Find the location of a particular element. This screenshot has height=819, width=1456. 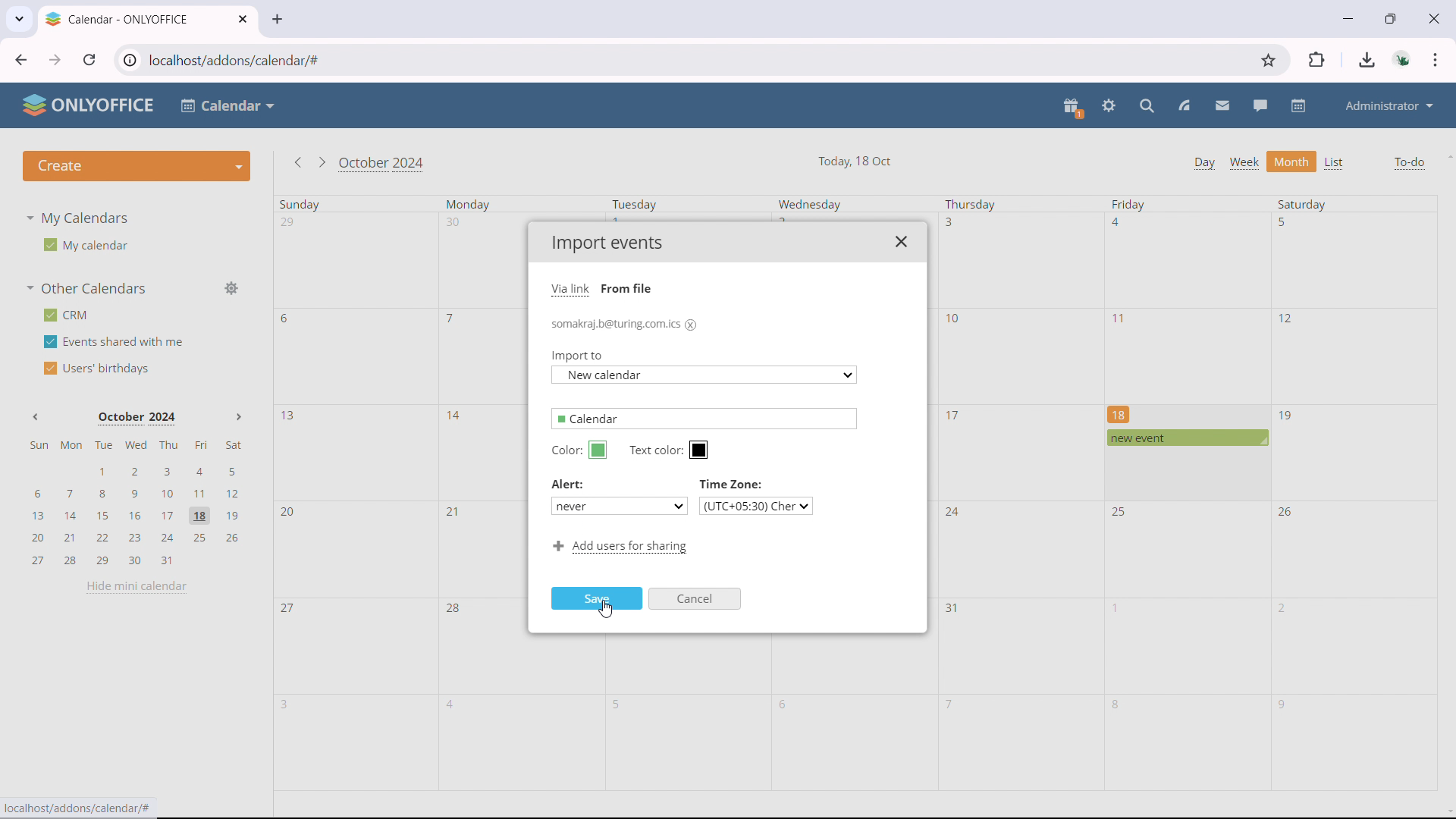

7 is located at coordinates (452, 319).